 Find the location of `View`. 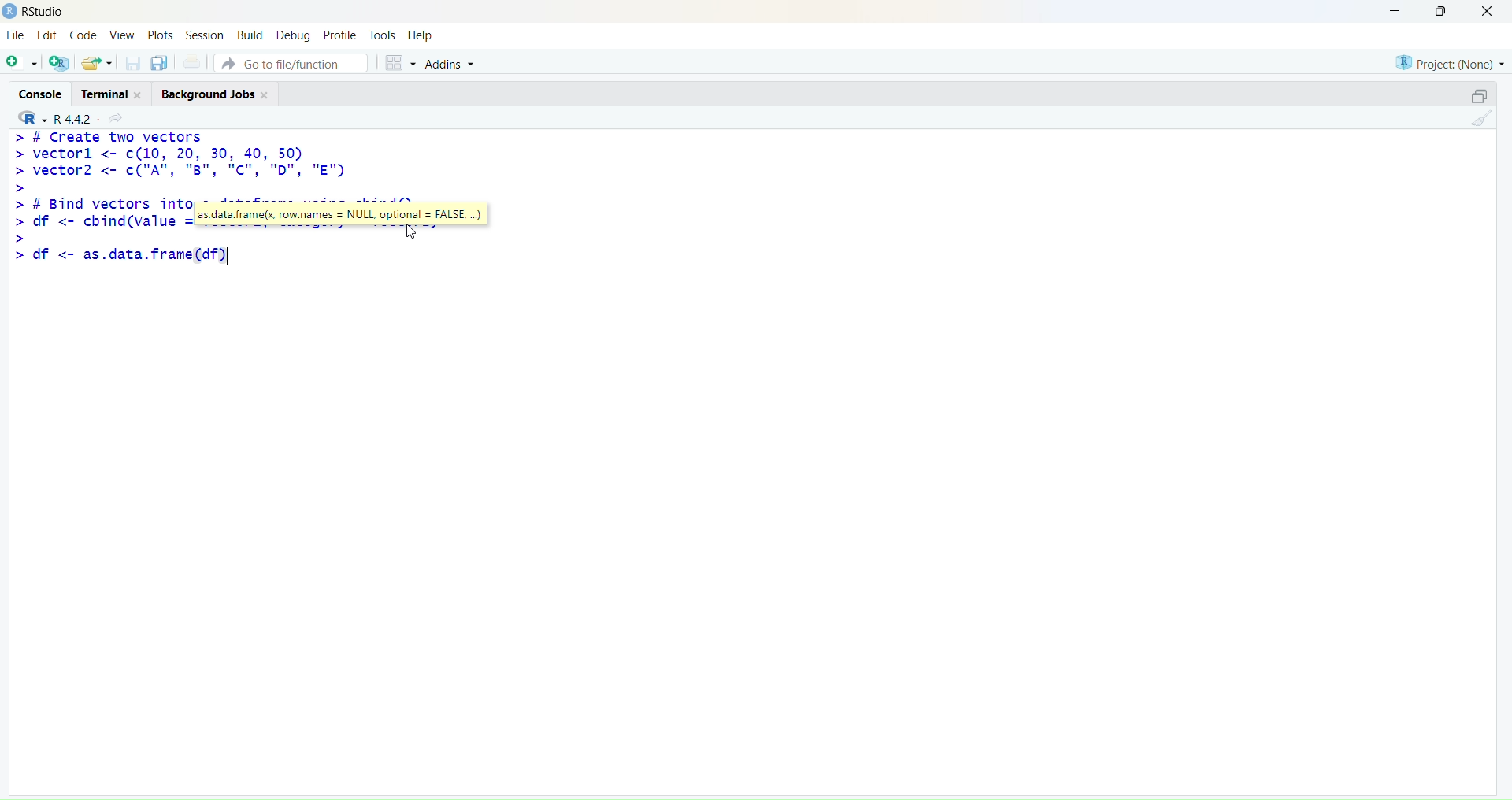

View is located at coordinates (121, 35).